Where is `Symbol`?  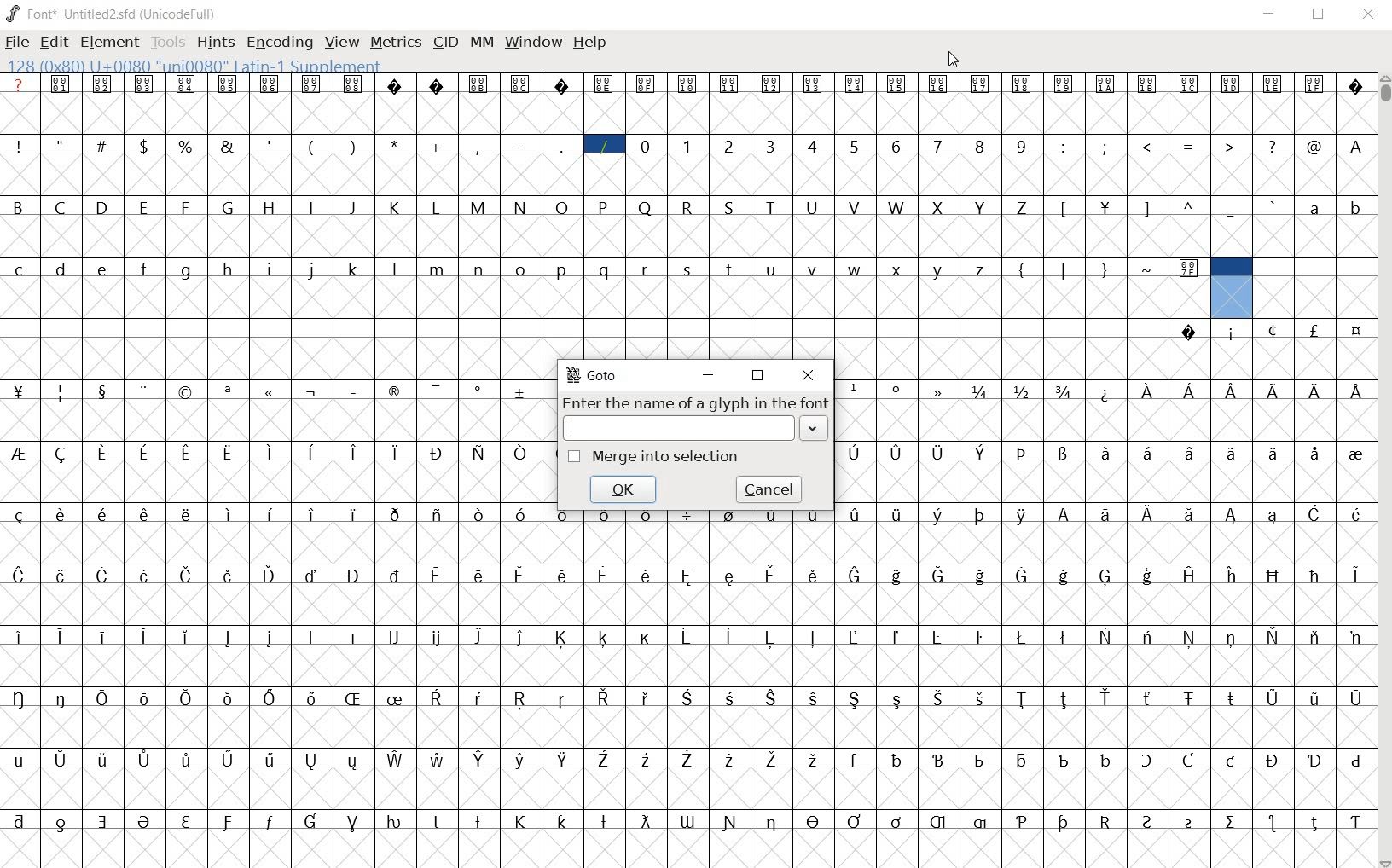 Symbol is located at coordinates (606, 698).